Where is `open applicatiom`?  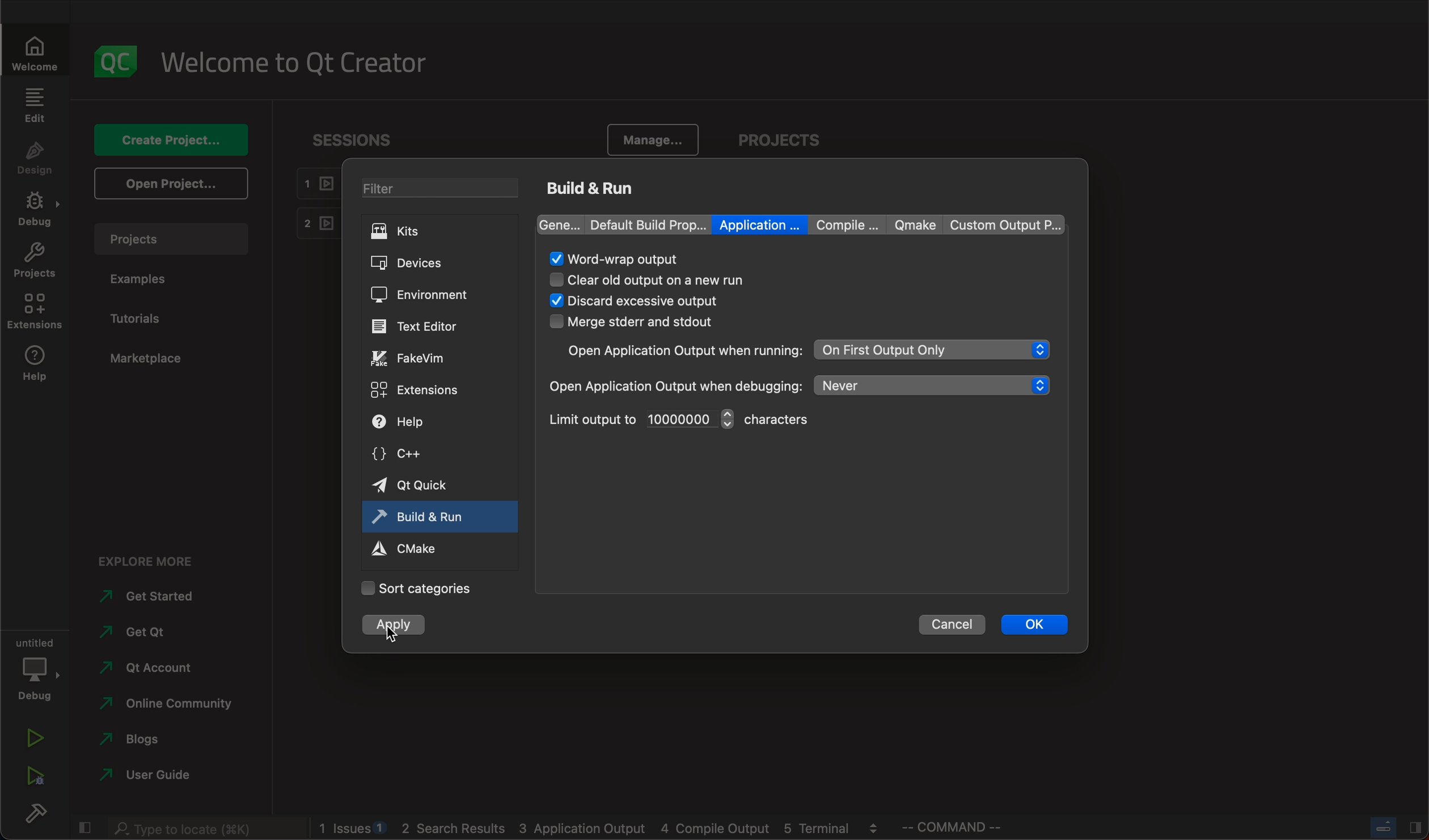 open applicatiom is located at coordinates (681, 351).